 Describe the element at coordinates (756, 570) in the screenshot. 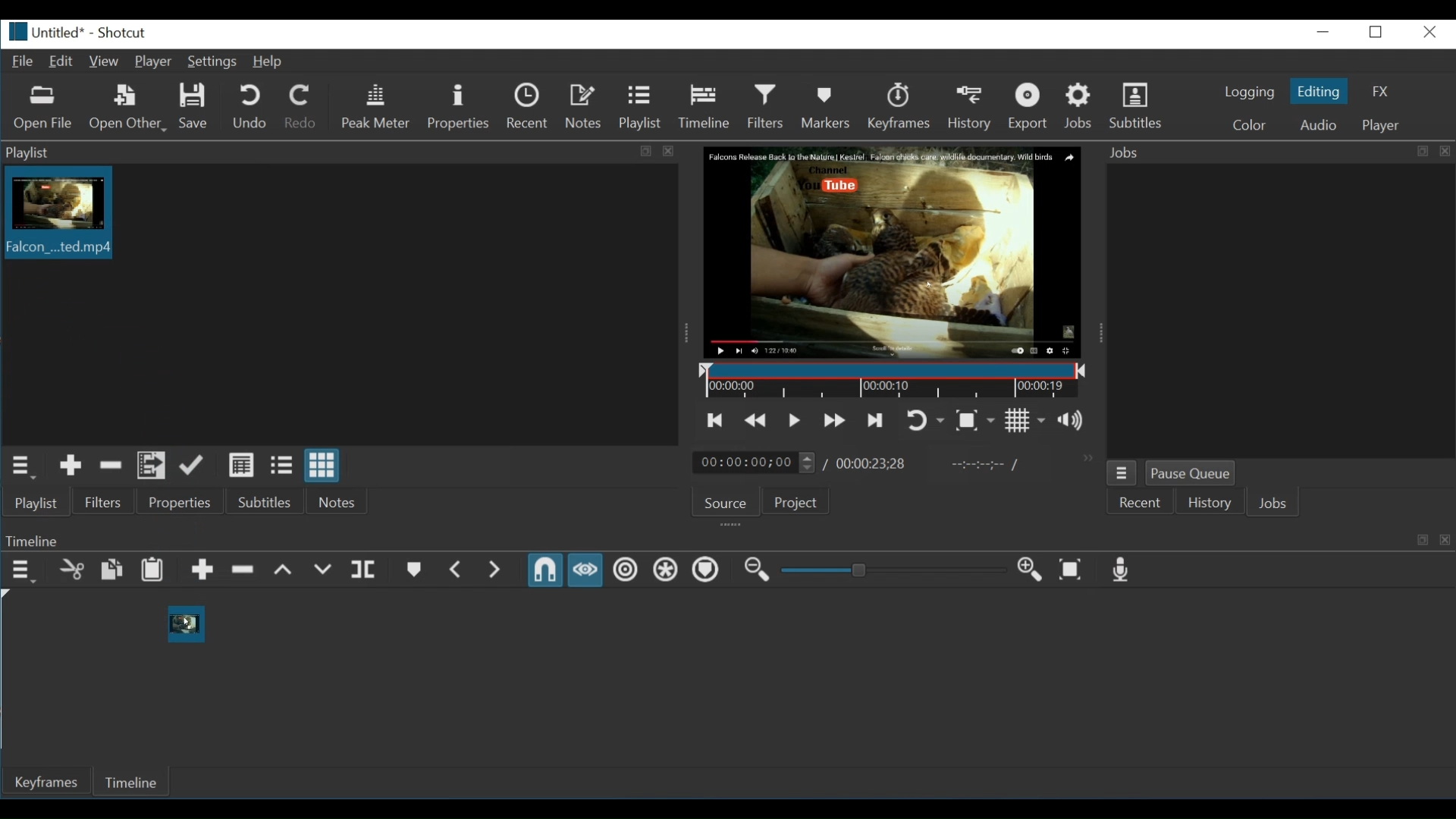

I see `Zoom timeline out` at that location.